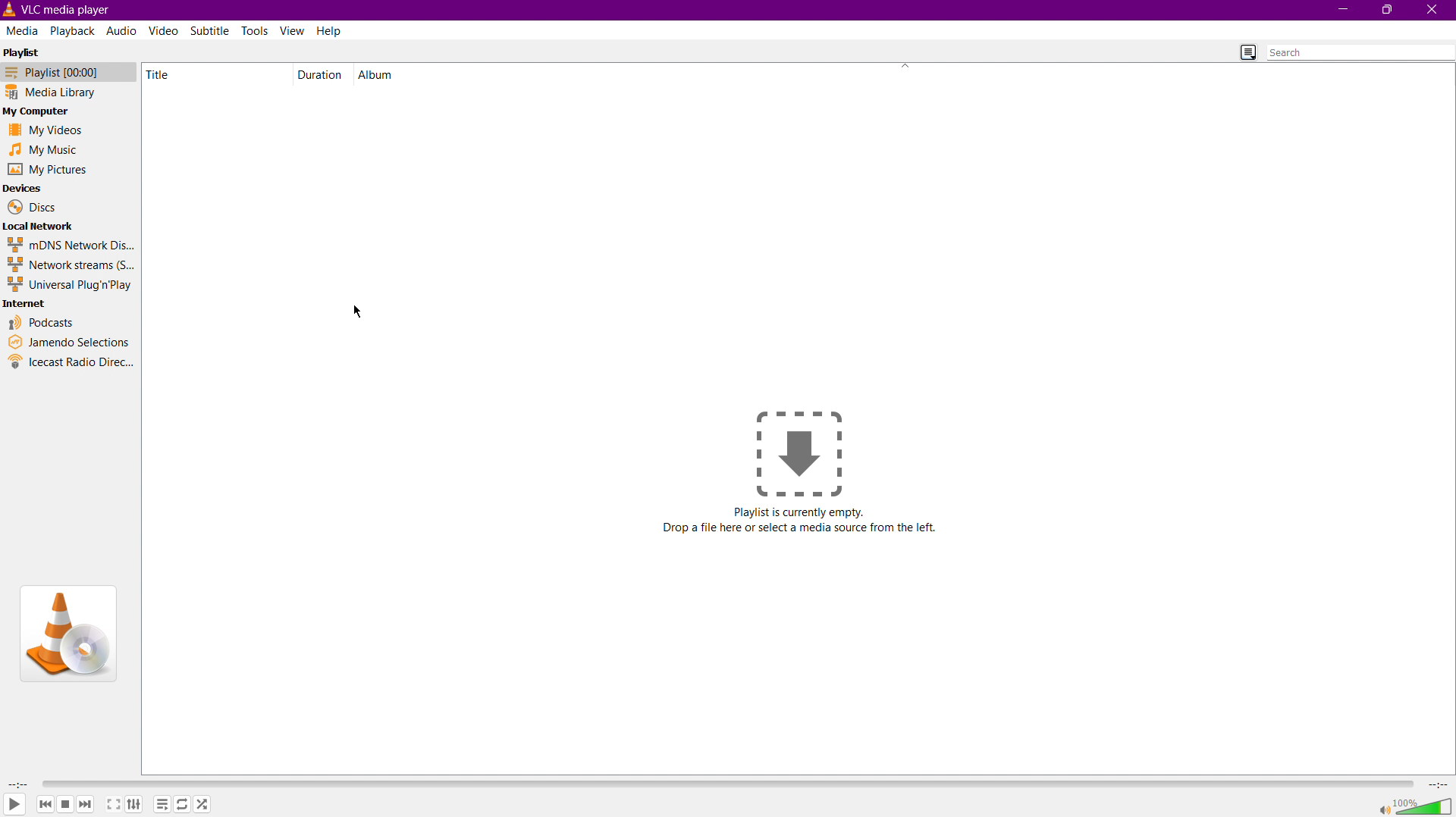 This screenshot has width=1456, height=817. I want to click on My Music, so click(45, 149).